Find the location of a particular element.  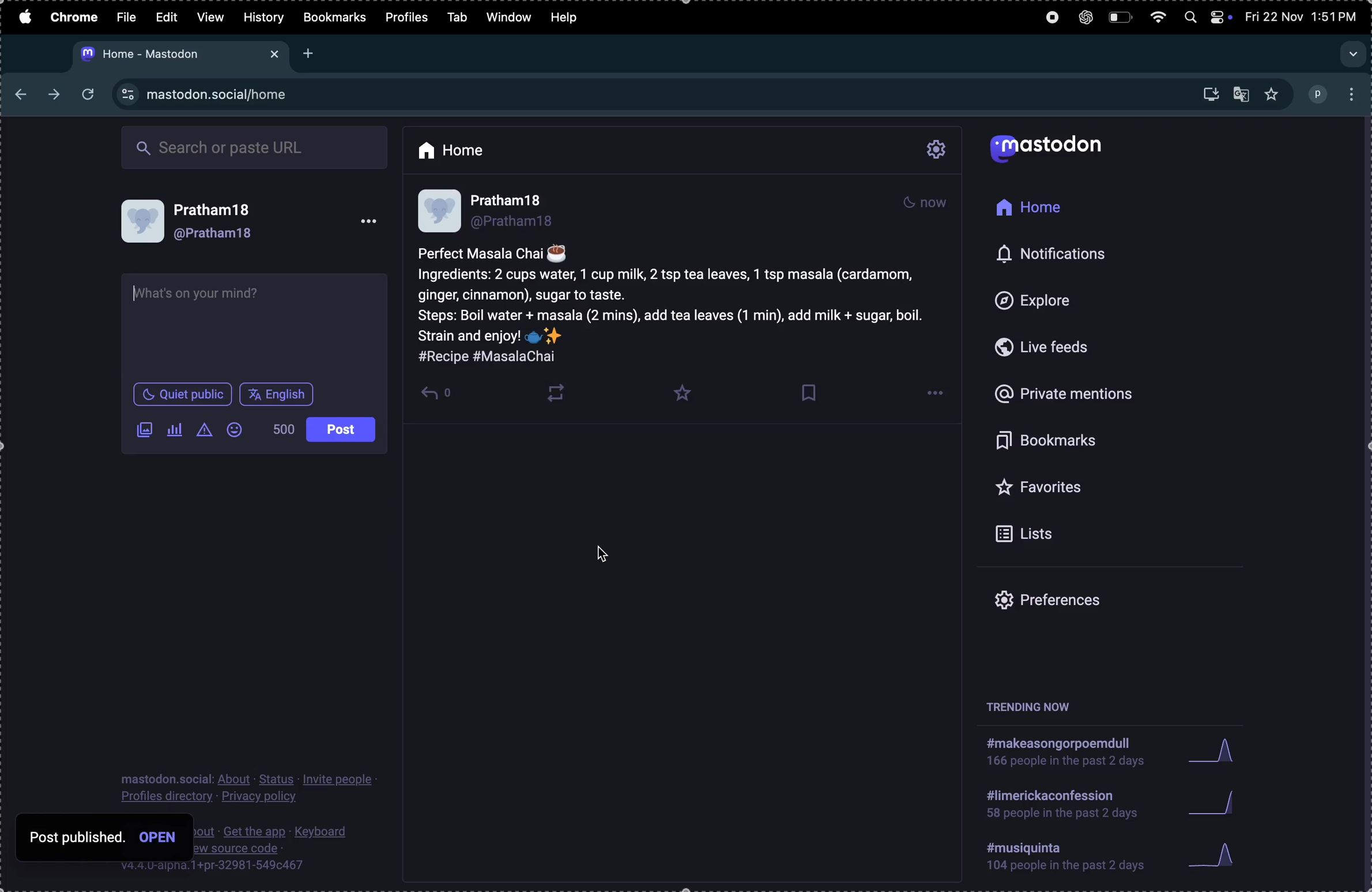

search box is located at coordinates (251, 145).